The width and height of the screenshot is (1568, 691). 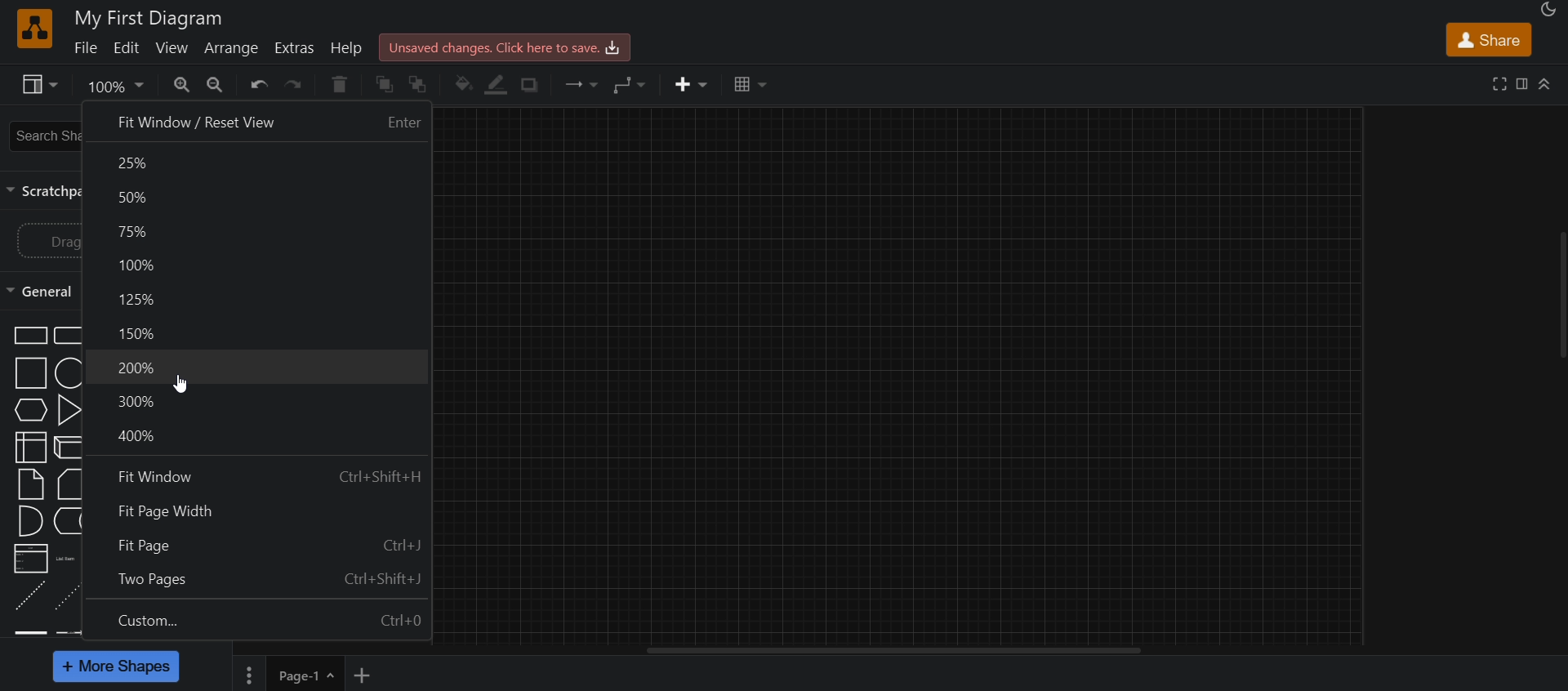 I want to click on fit window/reset view, so click(x=265, y=123).